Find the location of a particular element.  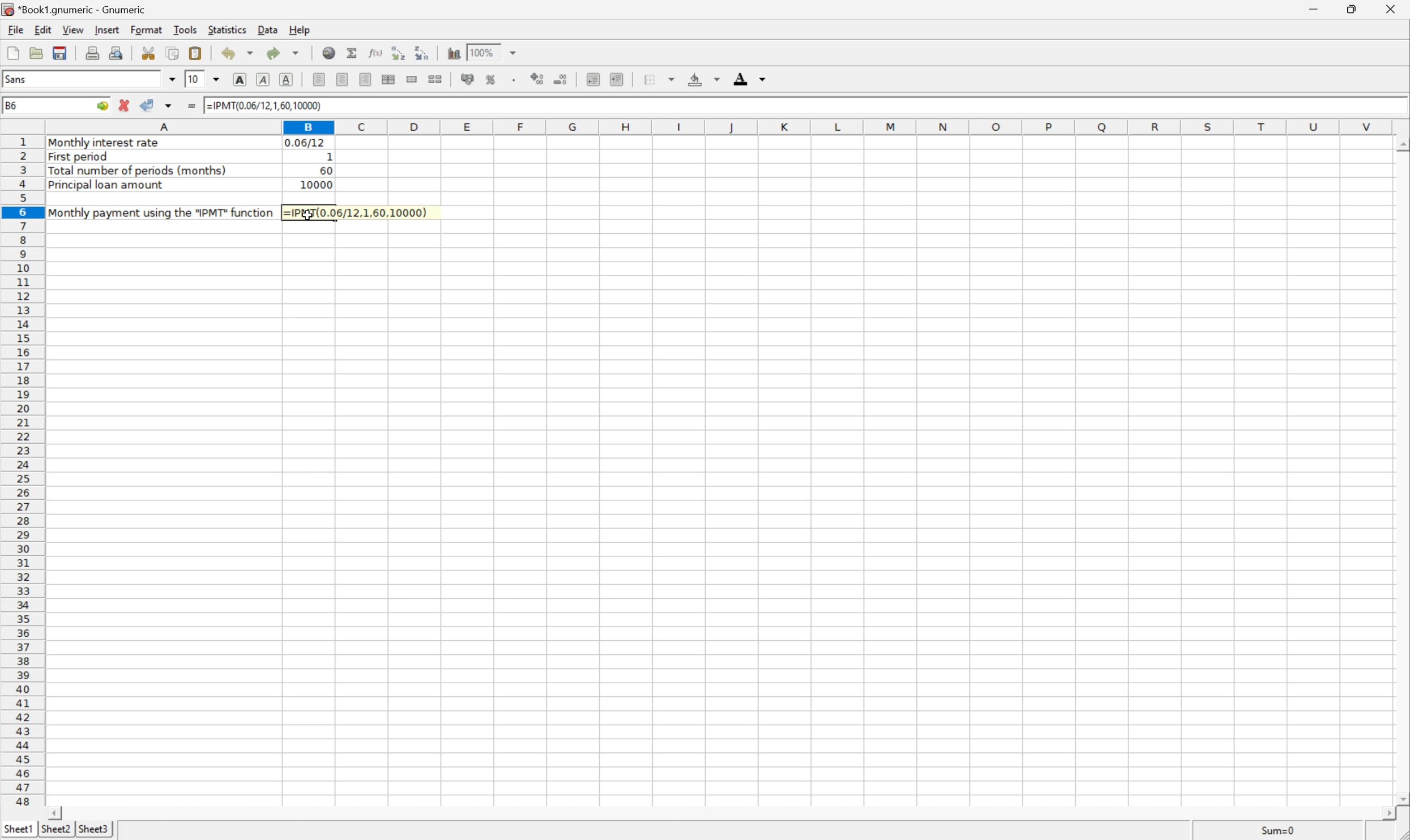

Bold is located at coordinates (240, 78).